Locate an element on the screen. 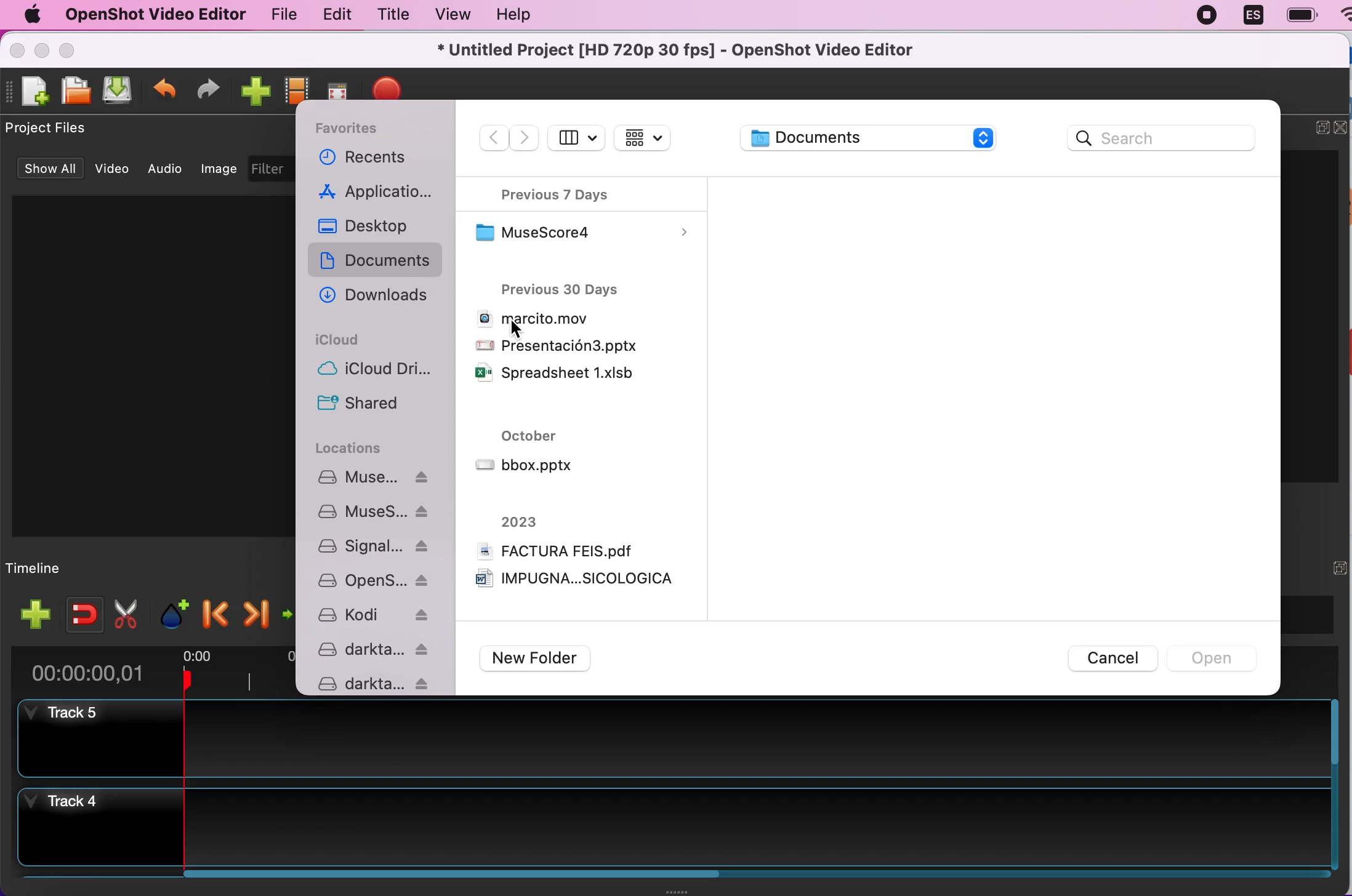 The height and width of the screenshot is (896, 1352). show side bar is located at coordinates (576, 139).